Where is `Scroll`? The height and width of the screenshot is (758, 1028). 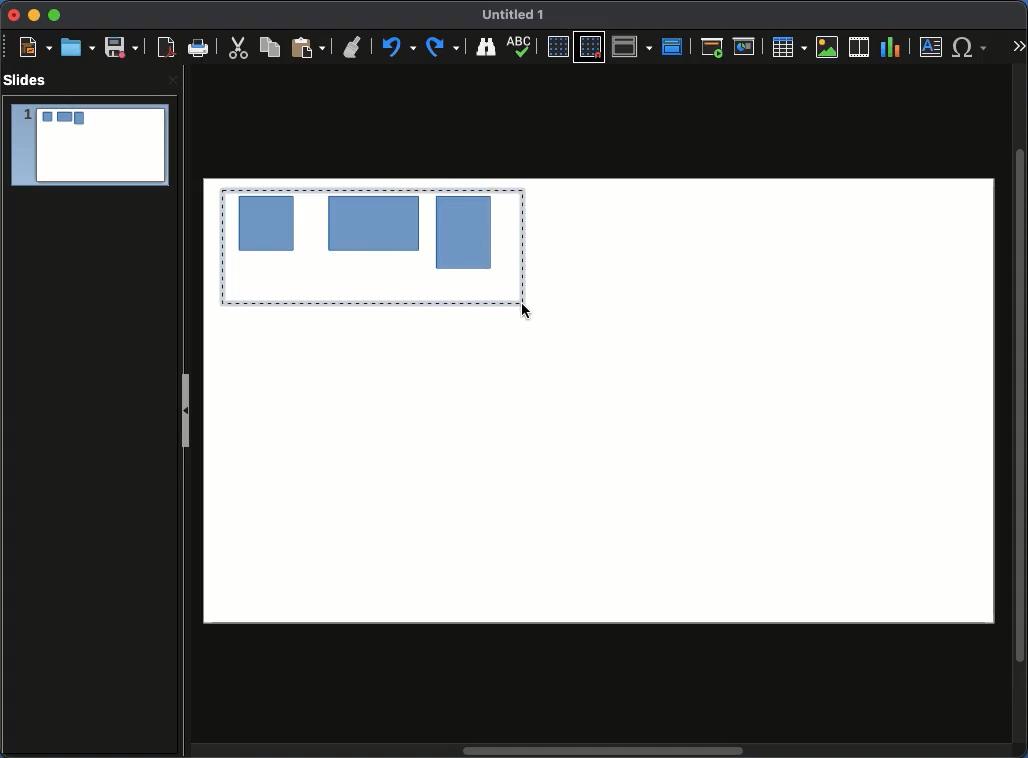 Scroll is located at coordinates (1022, 404).